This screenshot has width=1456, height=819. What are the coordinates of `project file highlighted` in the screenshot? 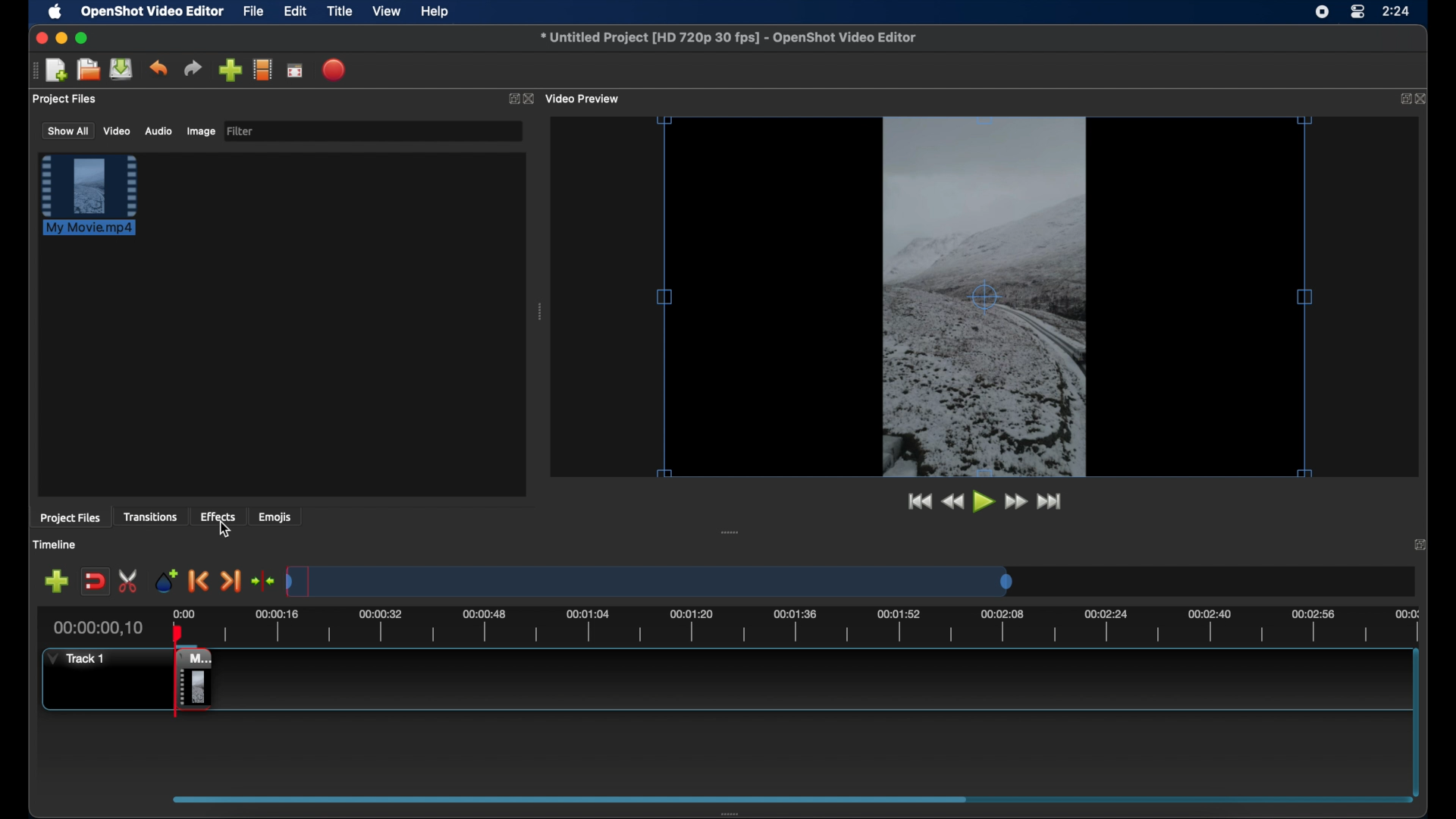 It's located at (89, 196).